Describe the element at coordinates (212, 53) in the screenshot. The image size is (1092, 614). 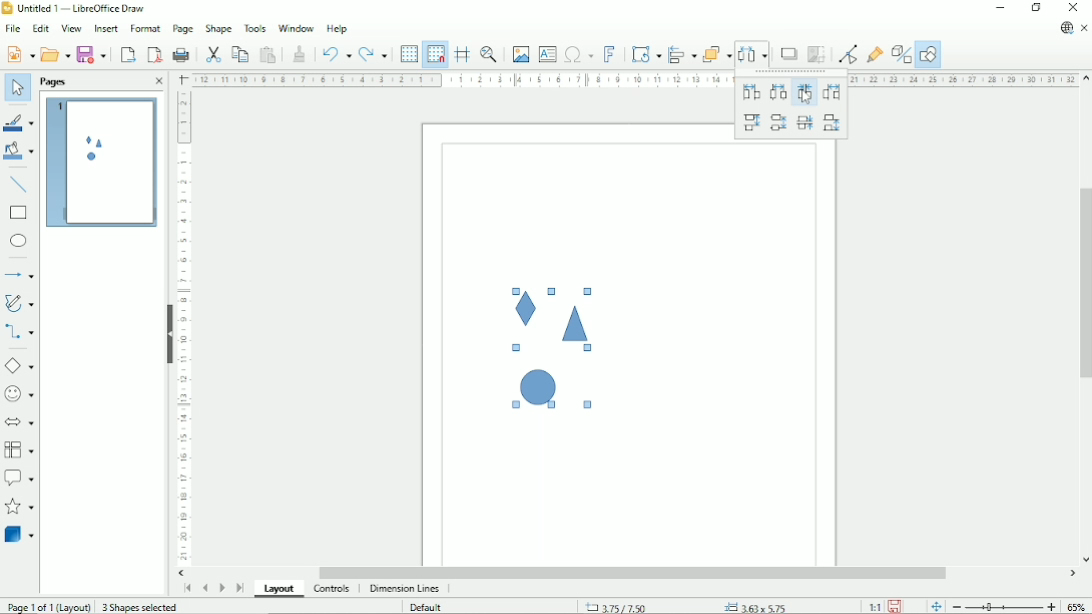
I see `Cut` at that location.